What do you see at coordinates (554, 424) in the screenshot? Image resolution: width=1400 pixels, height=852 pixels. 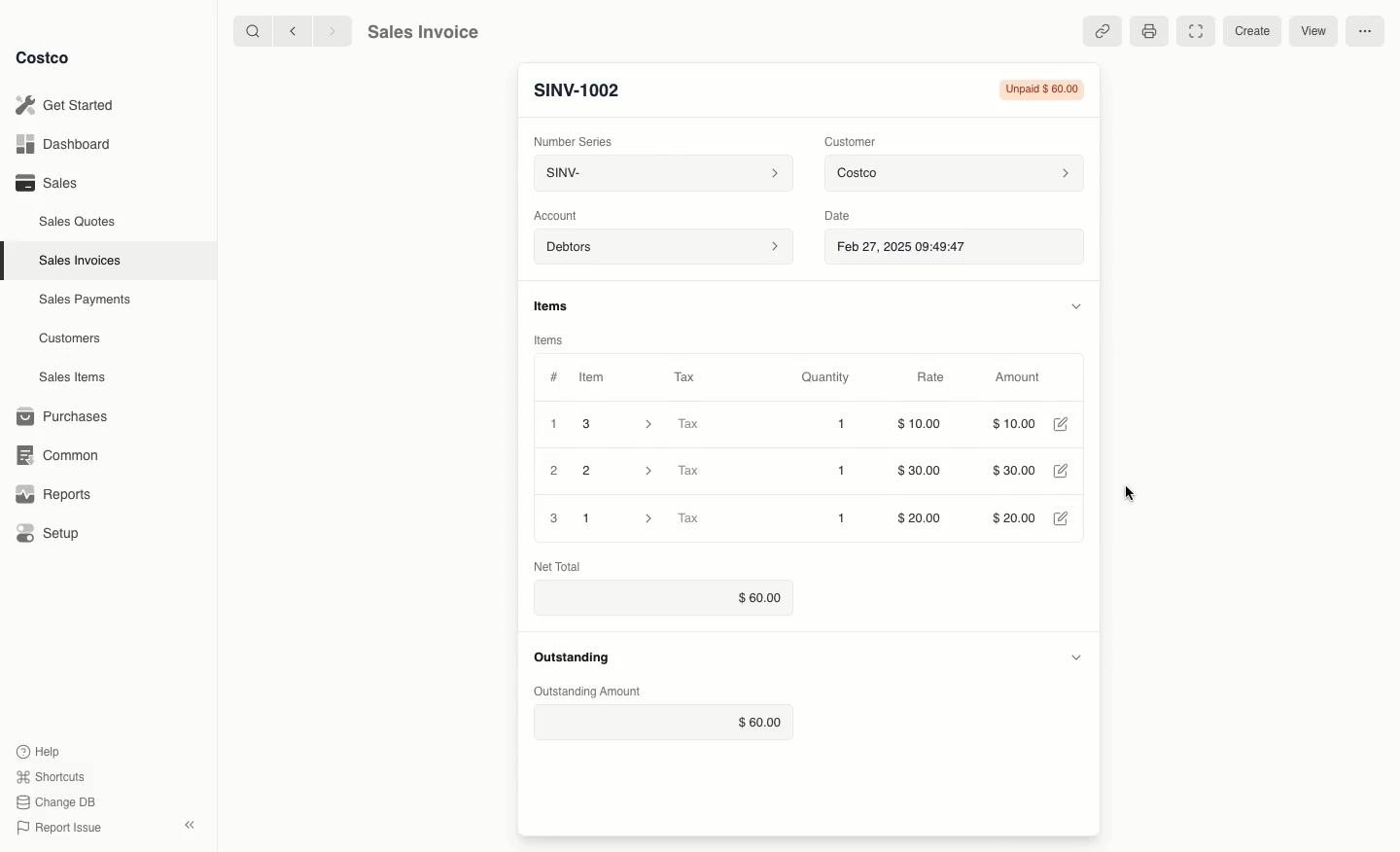 I see `1` at bounding box center [554, 424].